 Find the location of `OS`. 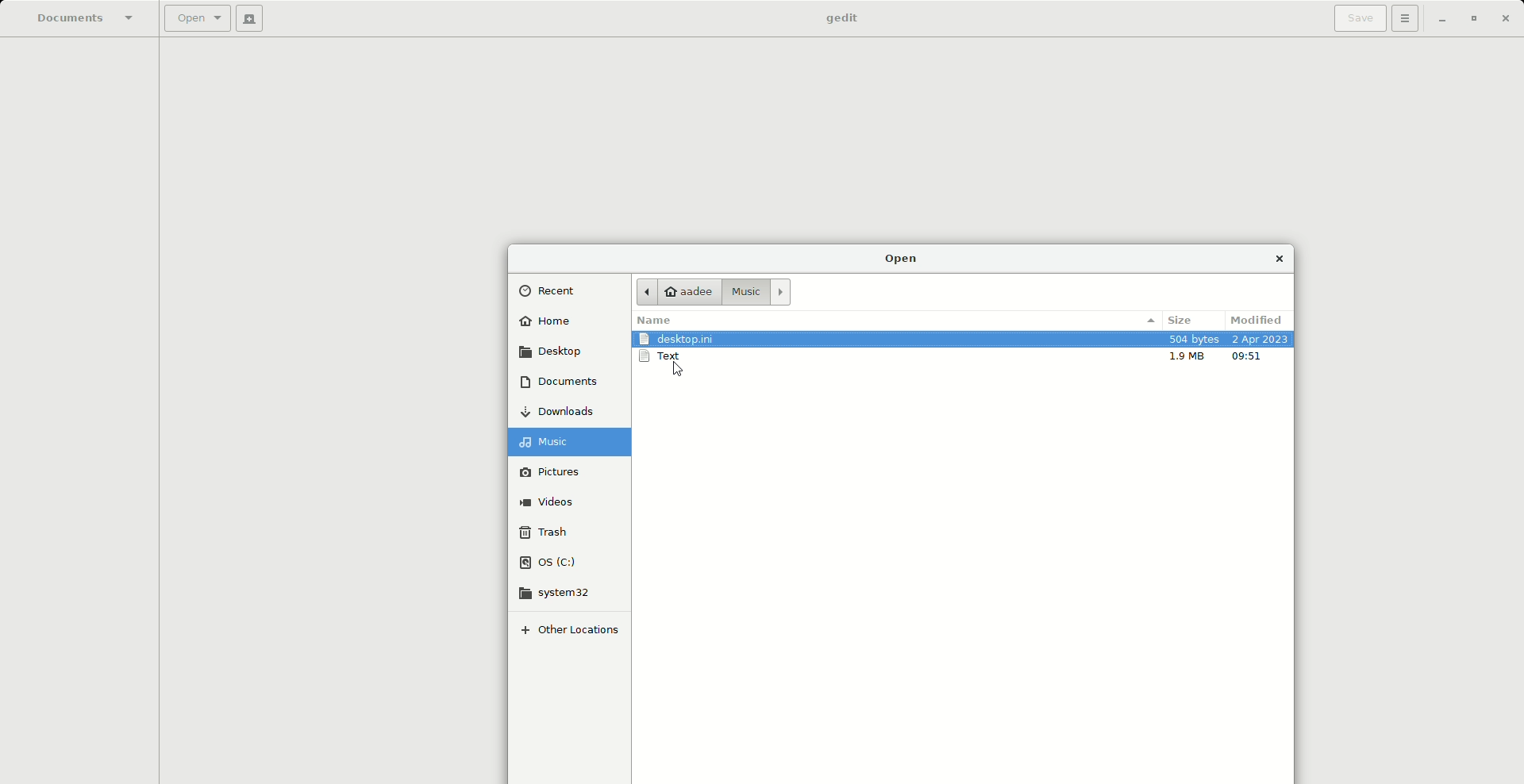

OS is located at coordinates (566, 563).